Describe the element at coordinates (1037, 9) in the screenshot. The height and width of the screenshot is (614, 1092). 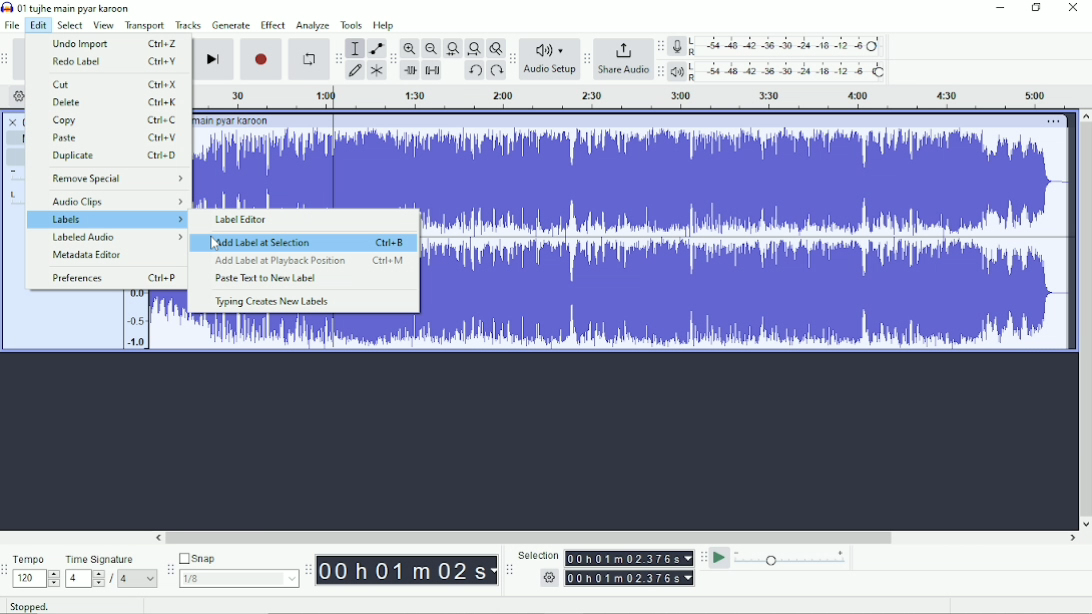
I see `Restore down` at that location.